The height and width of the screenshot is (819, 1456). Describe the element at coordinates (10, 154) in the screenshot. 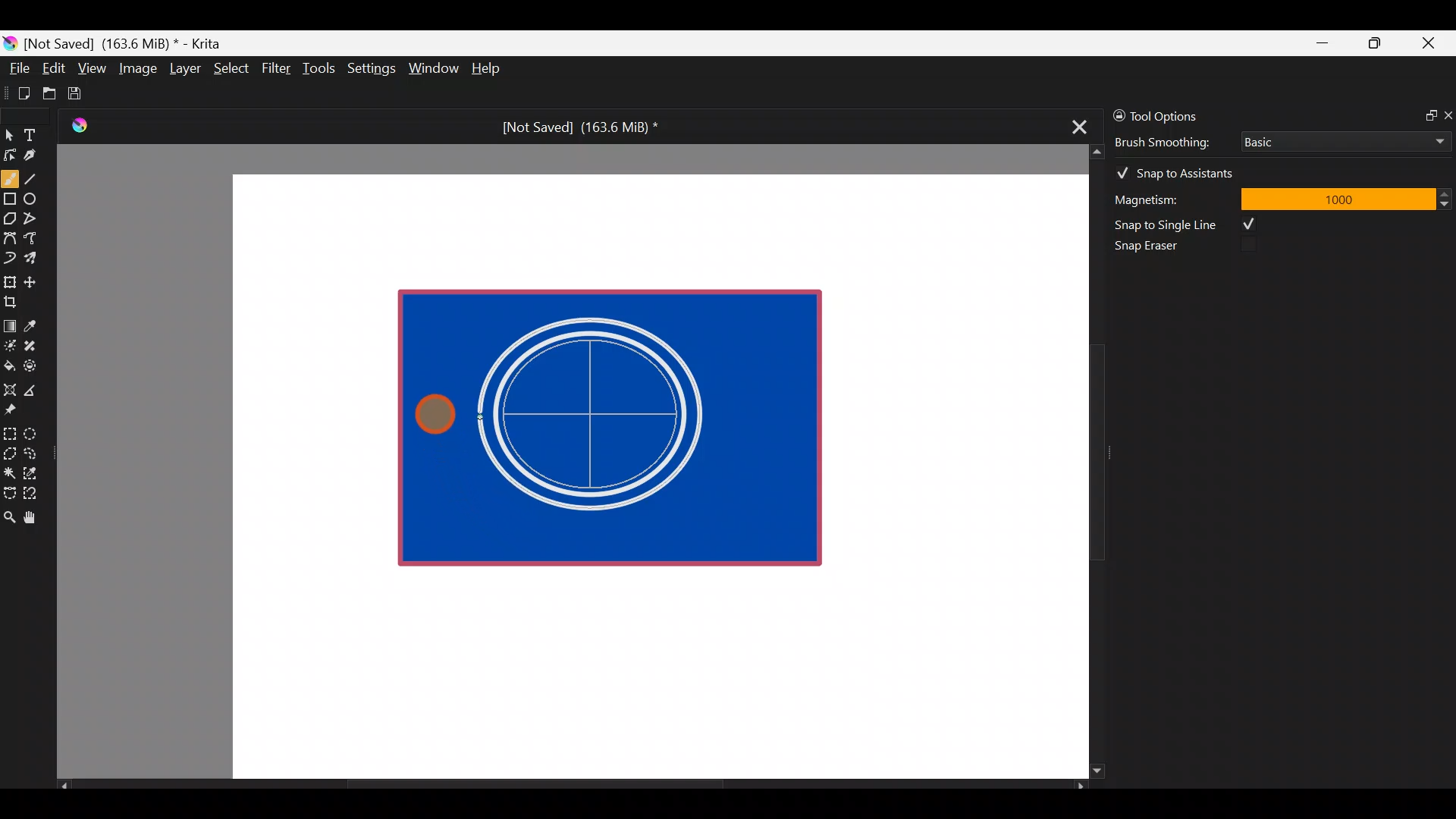

I see `Edit shapes tool` at that location.